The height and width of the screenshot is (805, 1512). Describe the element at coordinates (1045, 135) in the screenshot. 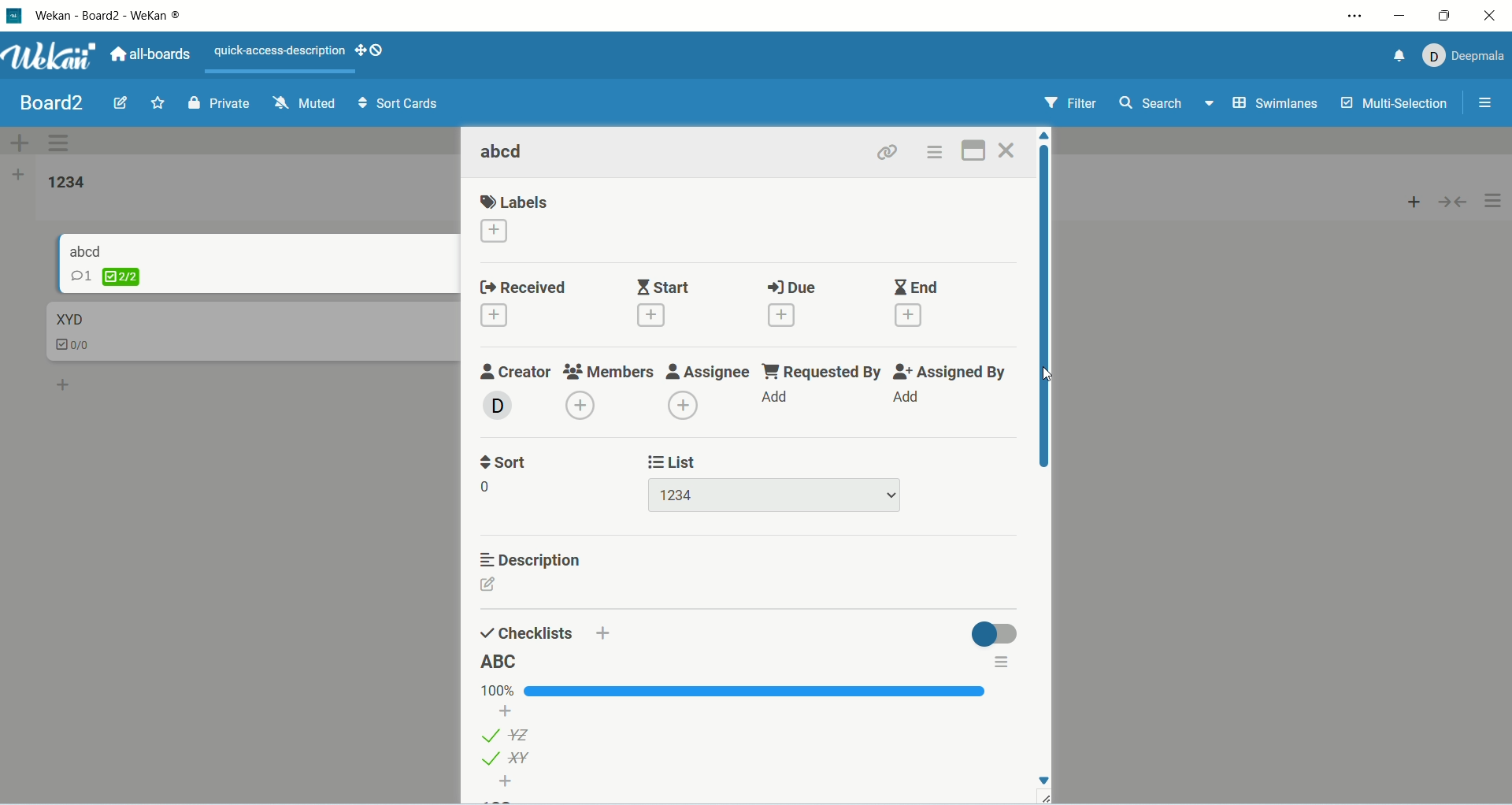

I see `Up` at that location.